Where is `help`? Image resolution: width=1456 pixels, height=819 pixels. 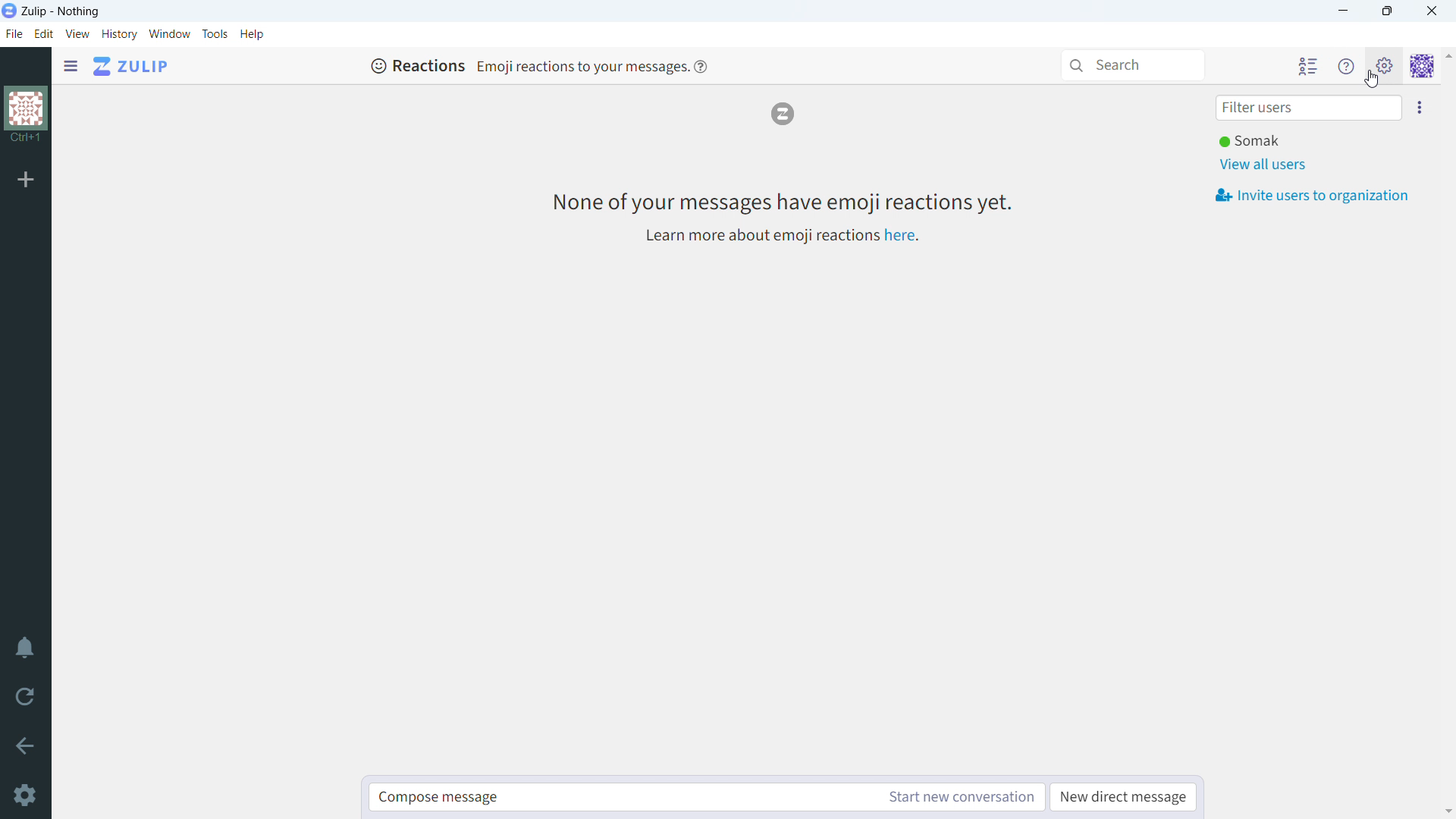
help is located at coordinates (701, 65).